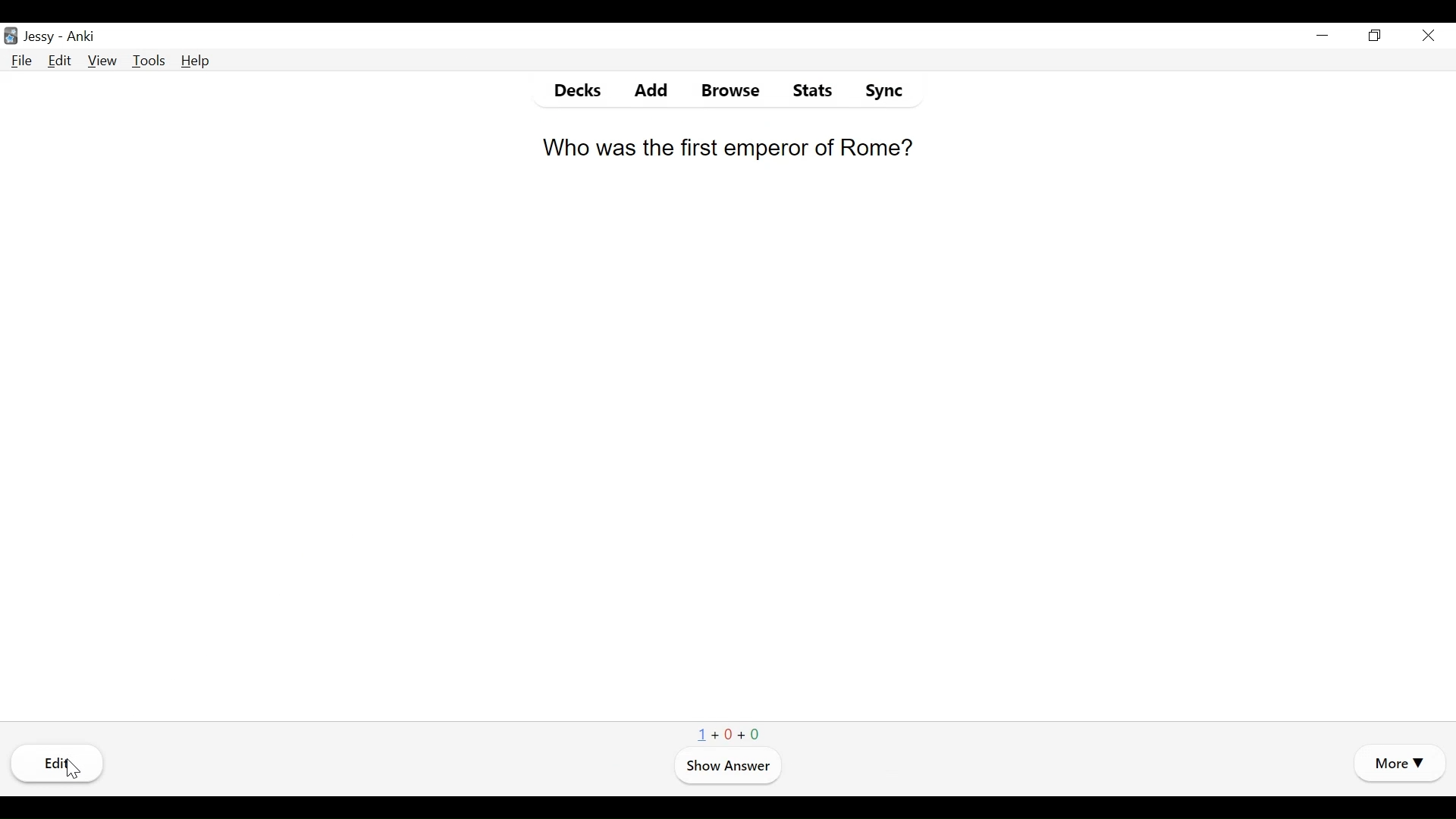  What do you see at coordinates (1323, 36) in the screenshot?
I see `minimize` at bounding box center [1323, 36].